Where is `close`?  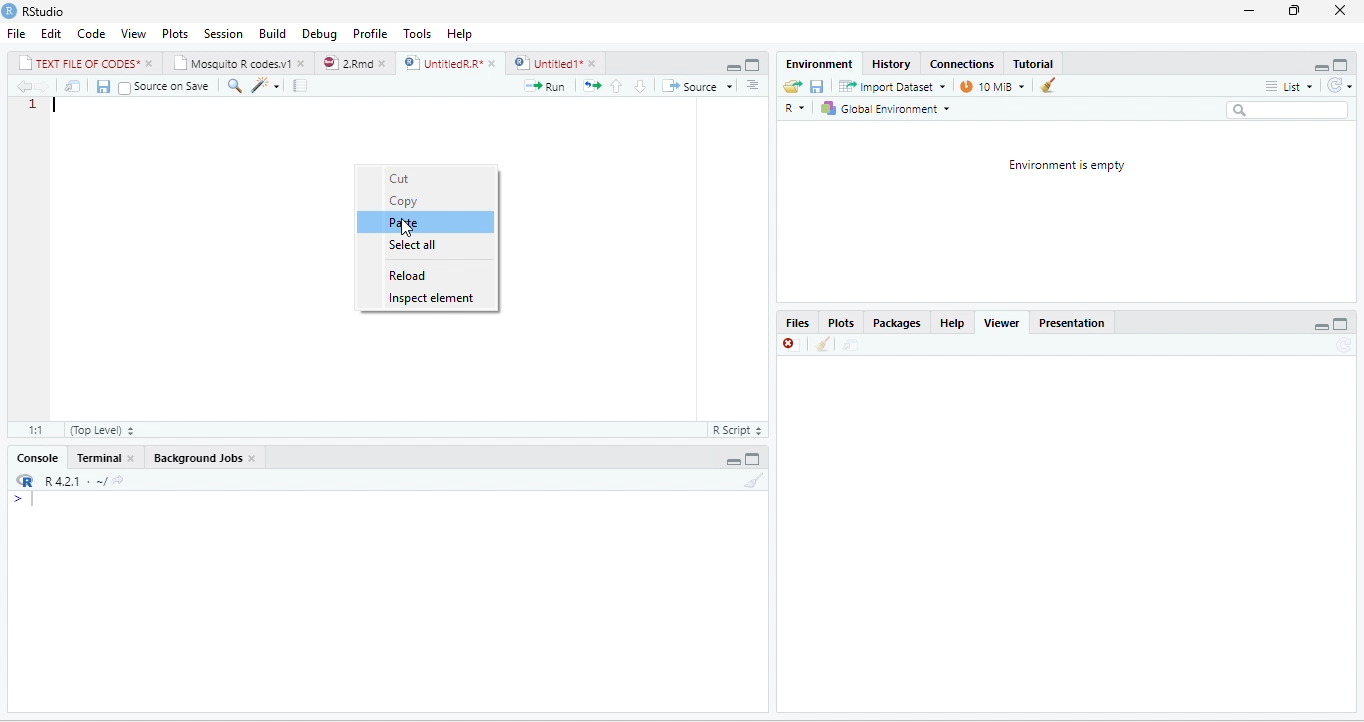 close is located at coordinates (304, 63).